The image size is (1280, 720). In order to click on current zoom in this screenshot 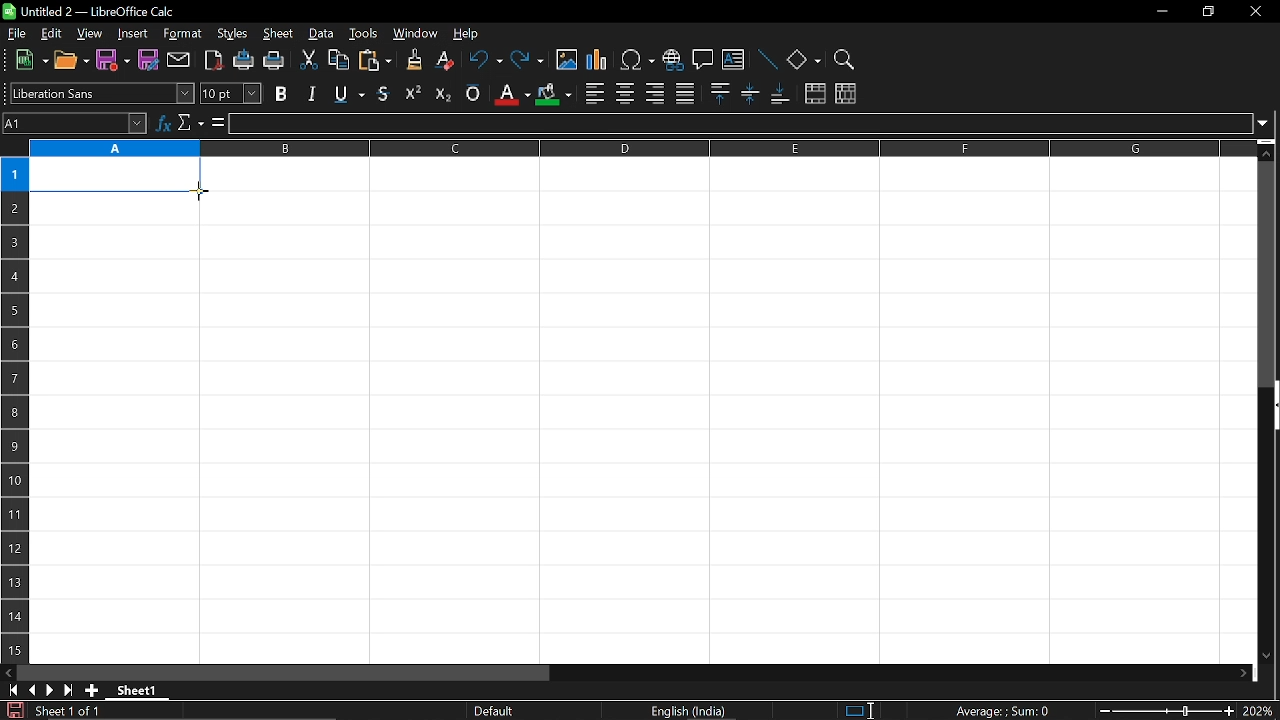, I will do `click(1260, 712)`.